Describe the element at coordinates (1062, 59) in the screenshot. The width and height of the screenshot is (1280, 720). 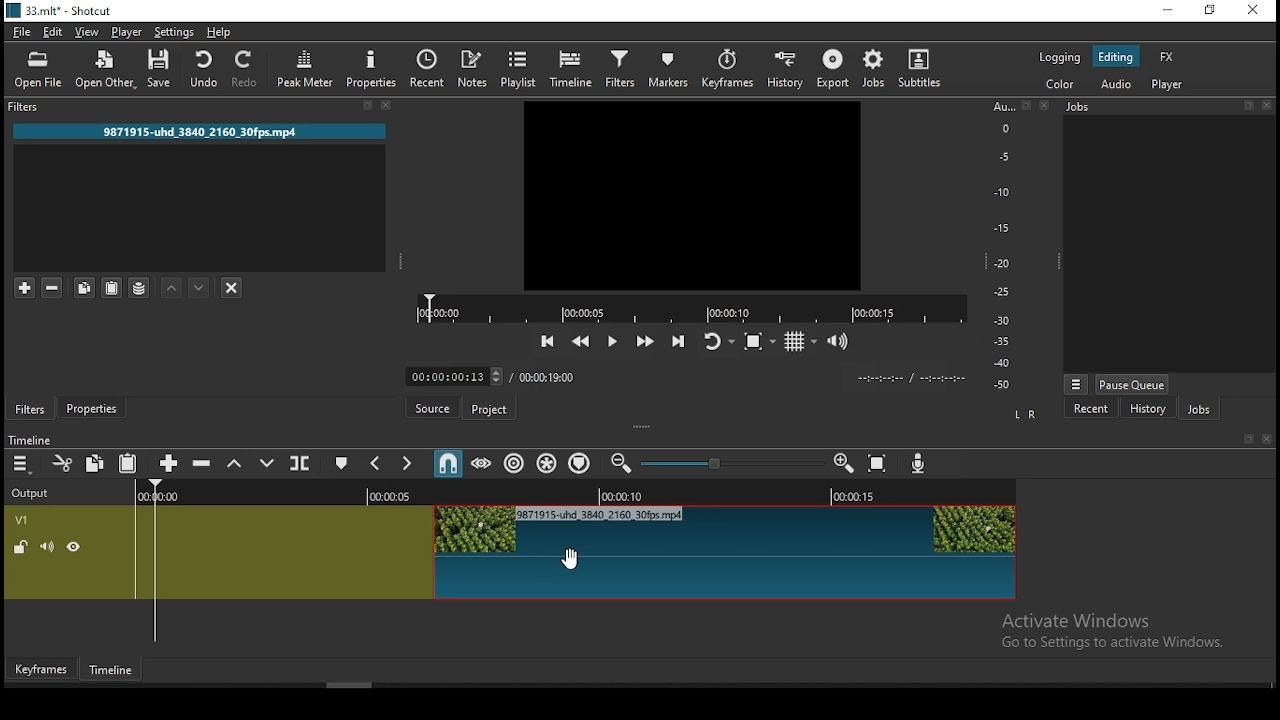
I see `logging` at that location.